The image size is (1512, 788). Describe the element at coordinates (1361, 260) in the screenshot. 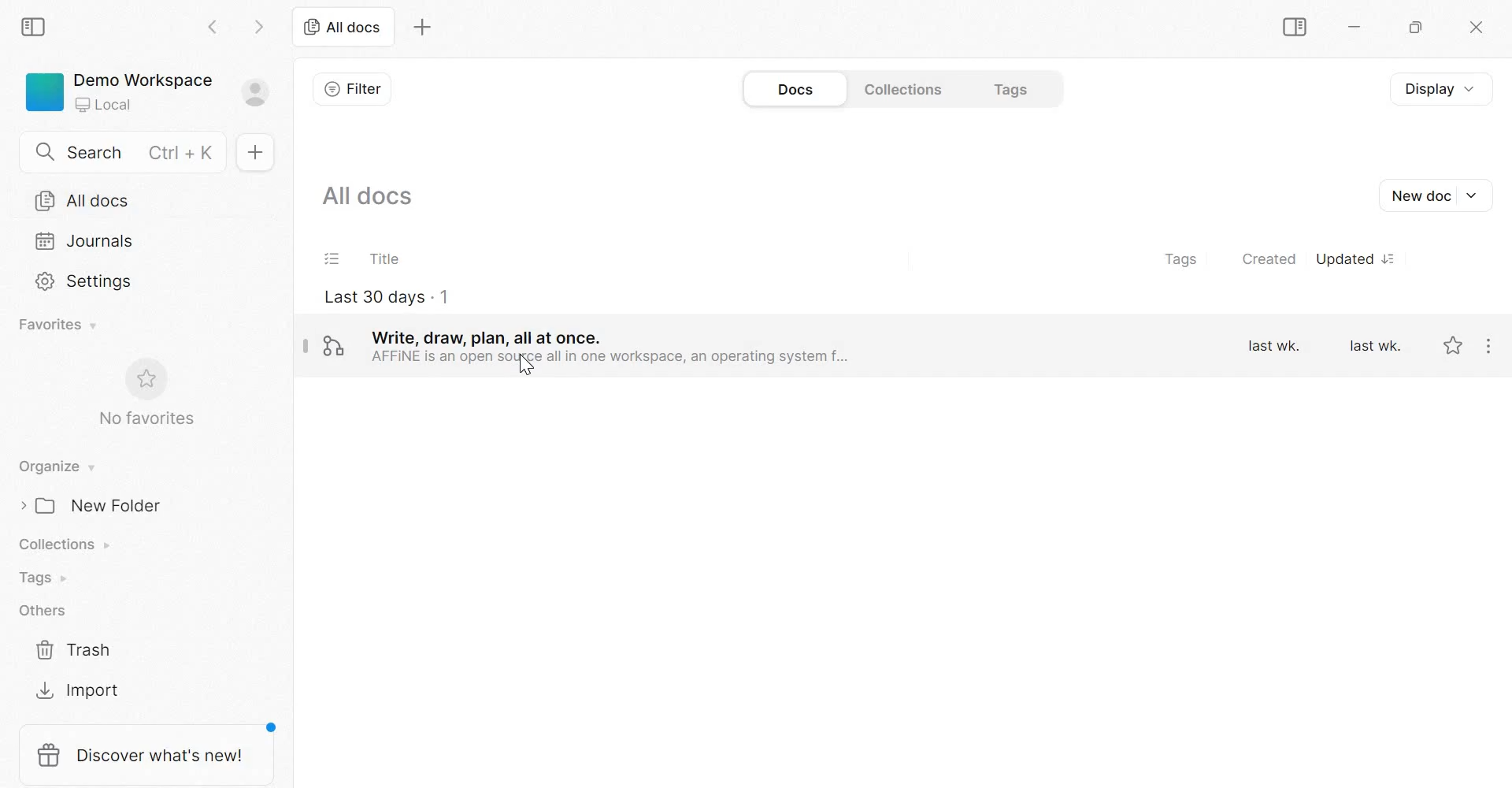

I see `Updated` at that location.